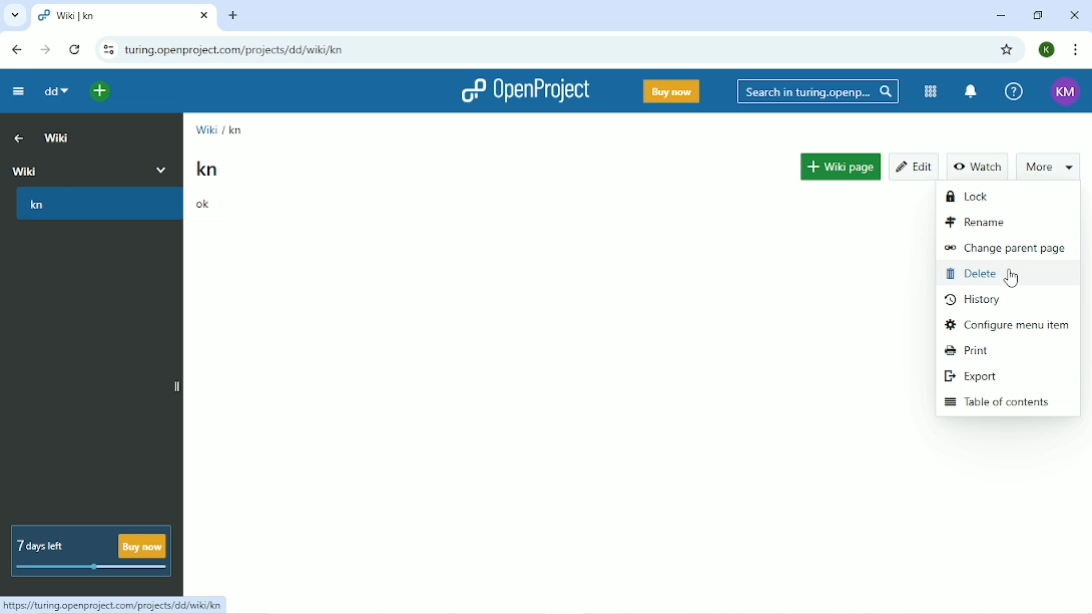  What do you see at coordinates (971, 375) in the screenshot?
I see `Export` at bounding box center [971, 375].